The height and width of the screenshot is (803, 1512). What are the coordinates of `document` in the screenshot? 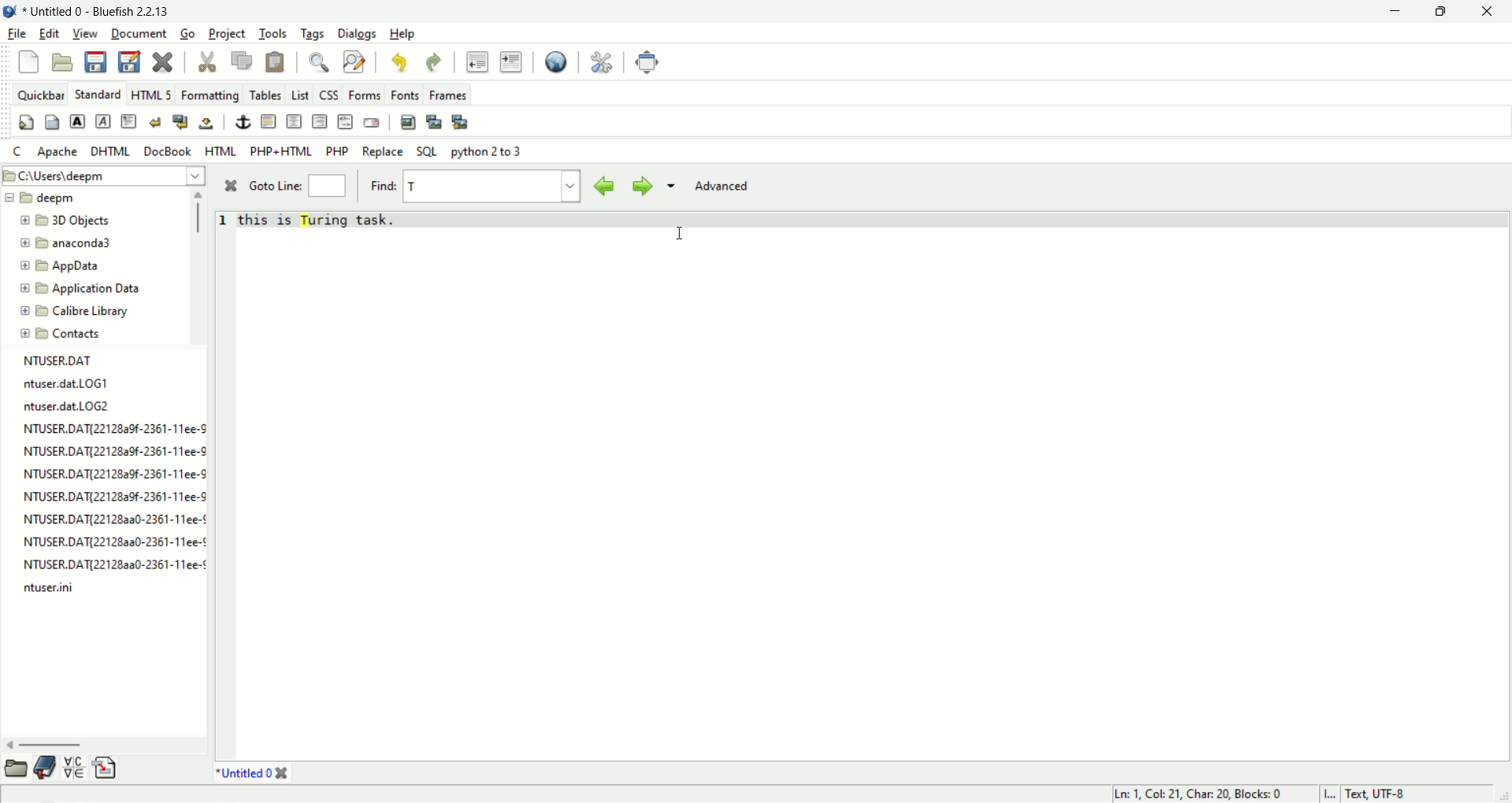 It's located at (139, 32).